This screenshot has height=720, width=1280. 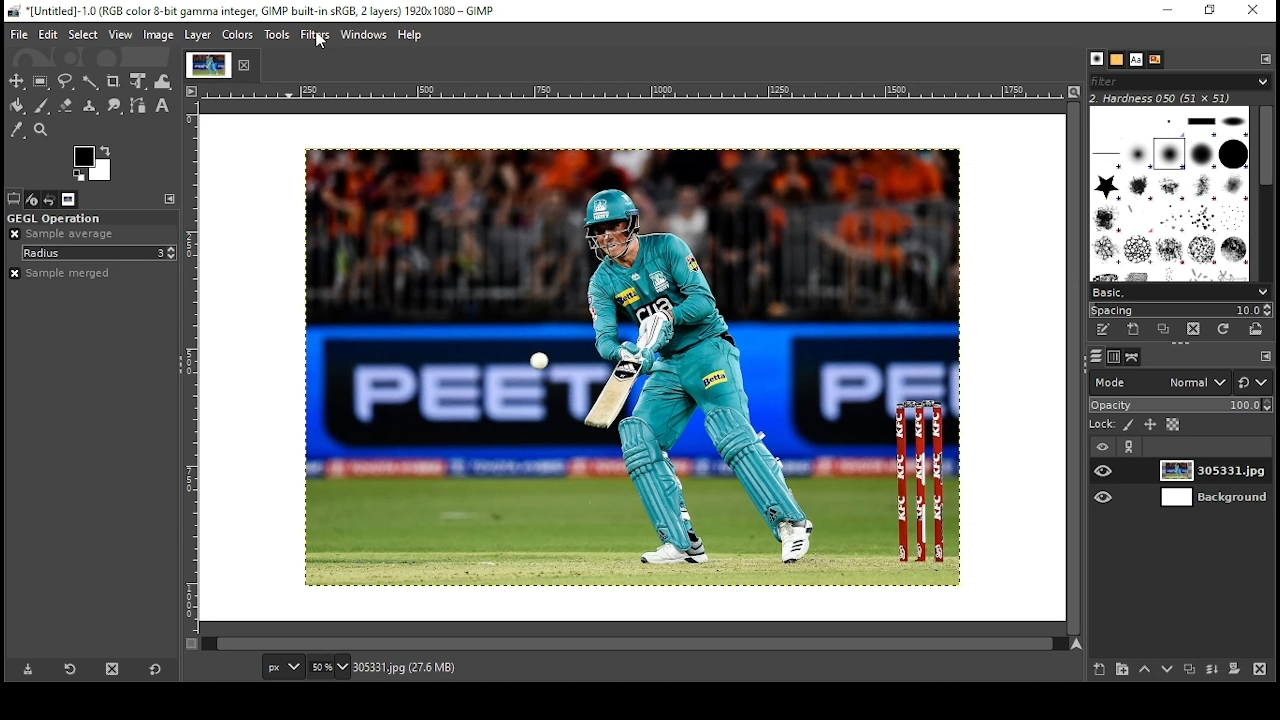 What do you see at coordinates (1213, 671) in the screenshot?
I see `merge layer` at bounding box center [1213, 671].